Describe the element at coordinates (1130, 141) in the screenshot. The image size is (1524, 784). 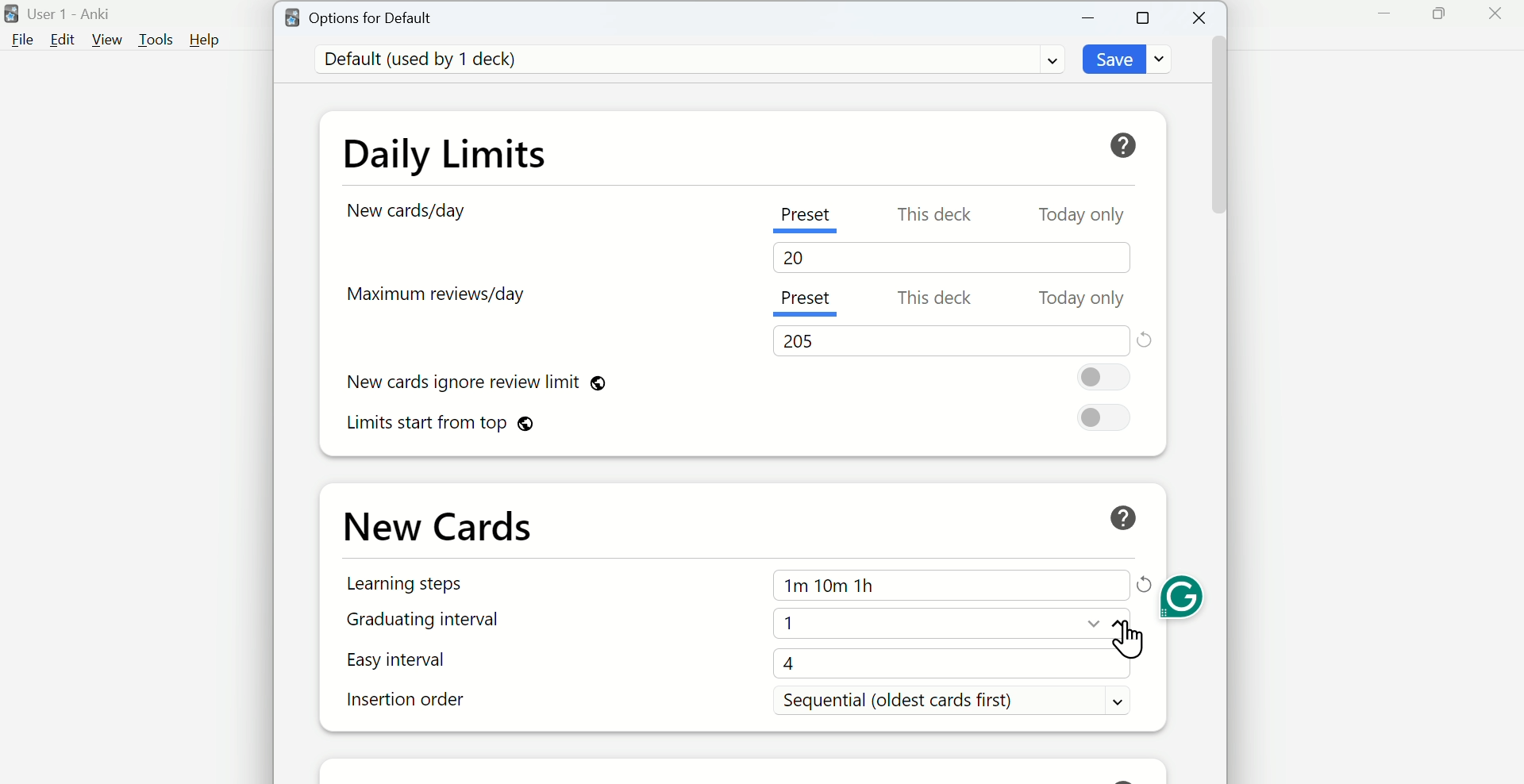
I see `Help` at that location.